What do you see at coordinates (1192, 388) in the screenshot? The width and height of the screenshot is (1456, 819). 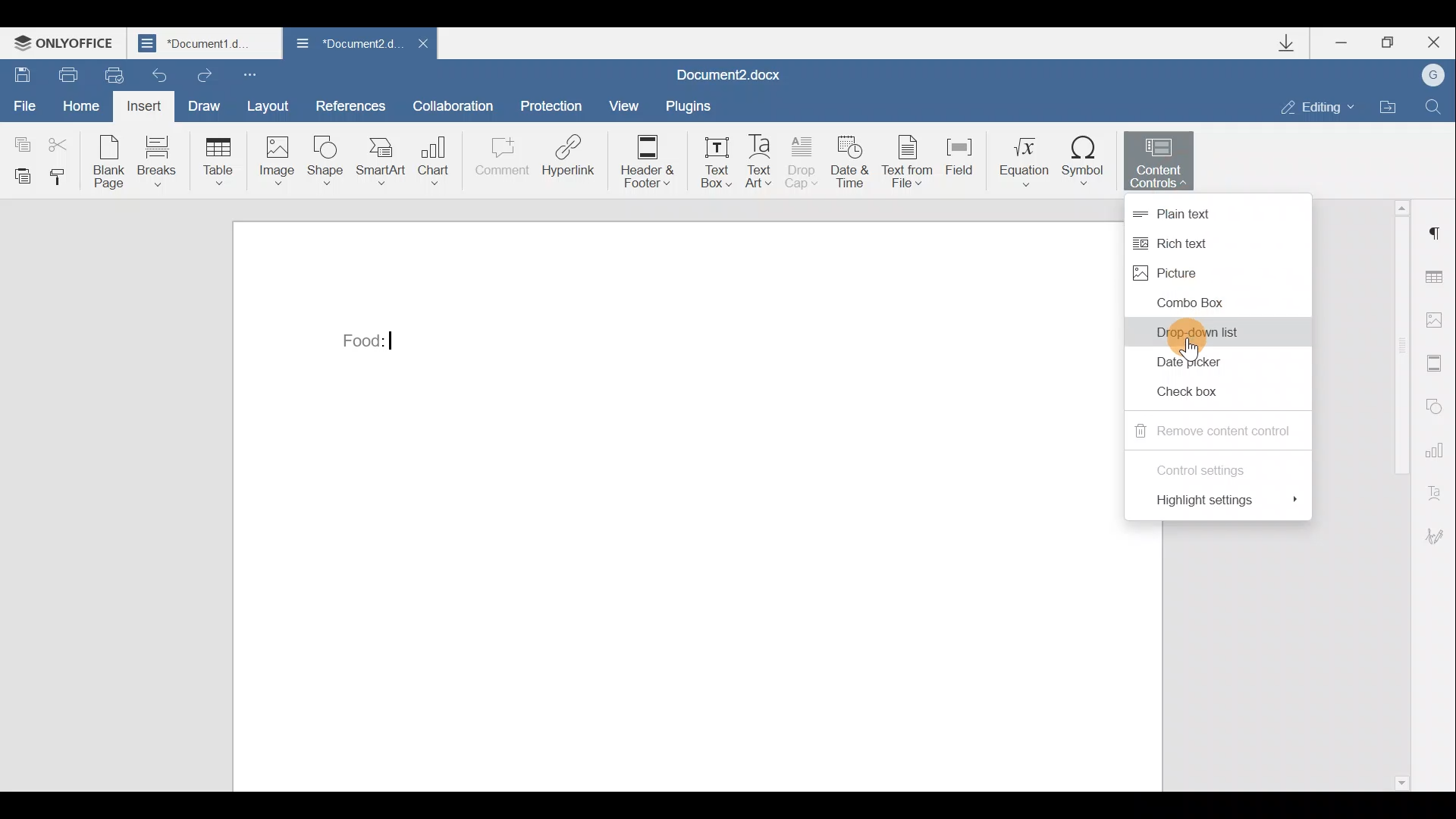 I see `Checkbox` at bounding box center [1192, 388].